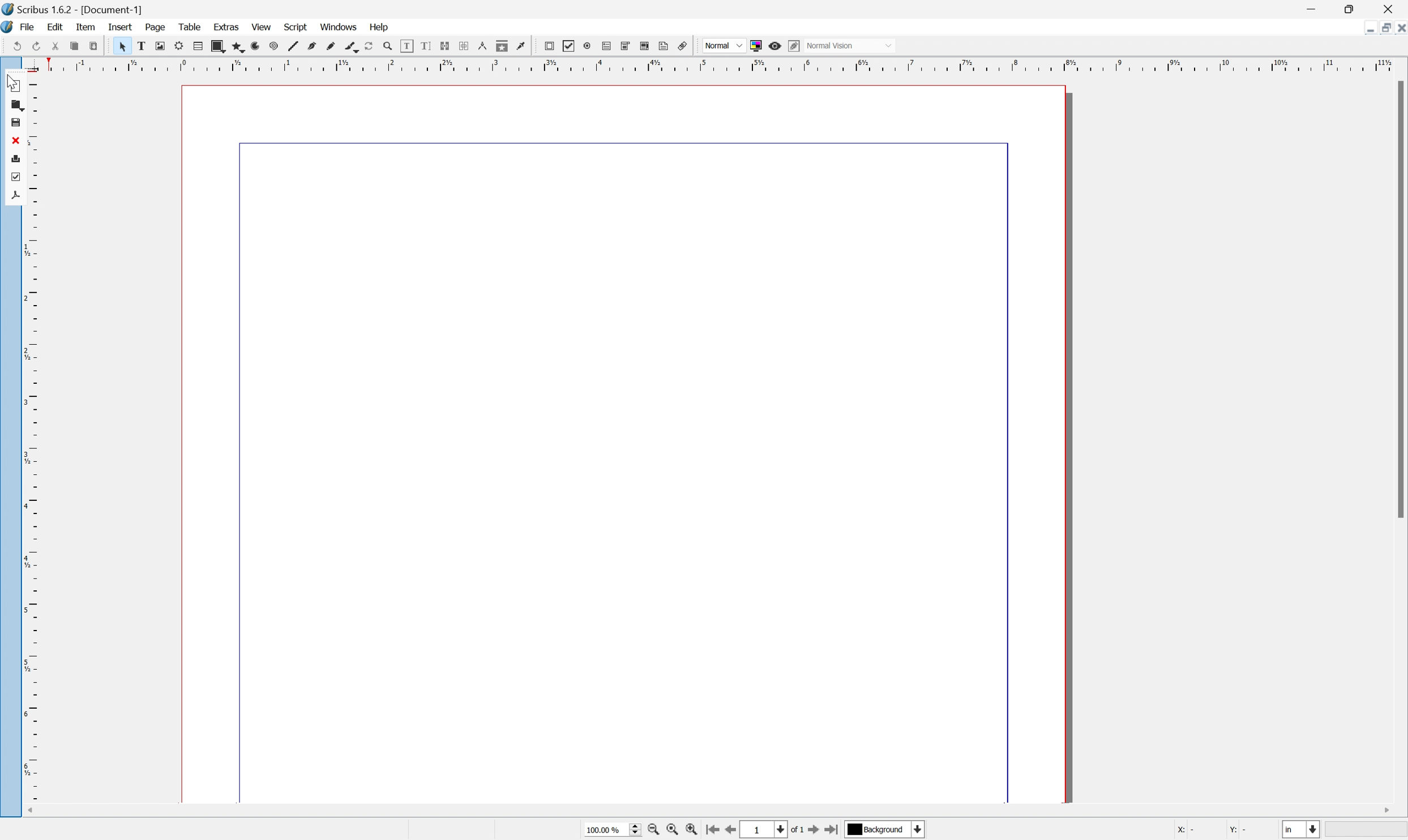  Describe the element at coordinates (94, 45) in the screenshot. I see `print` at that location.